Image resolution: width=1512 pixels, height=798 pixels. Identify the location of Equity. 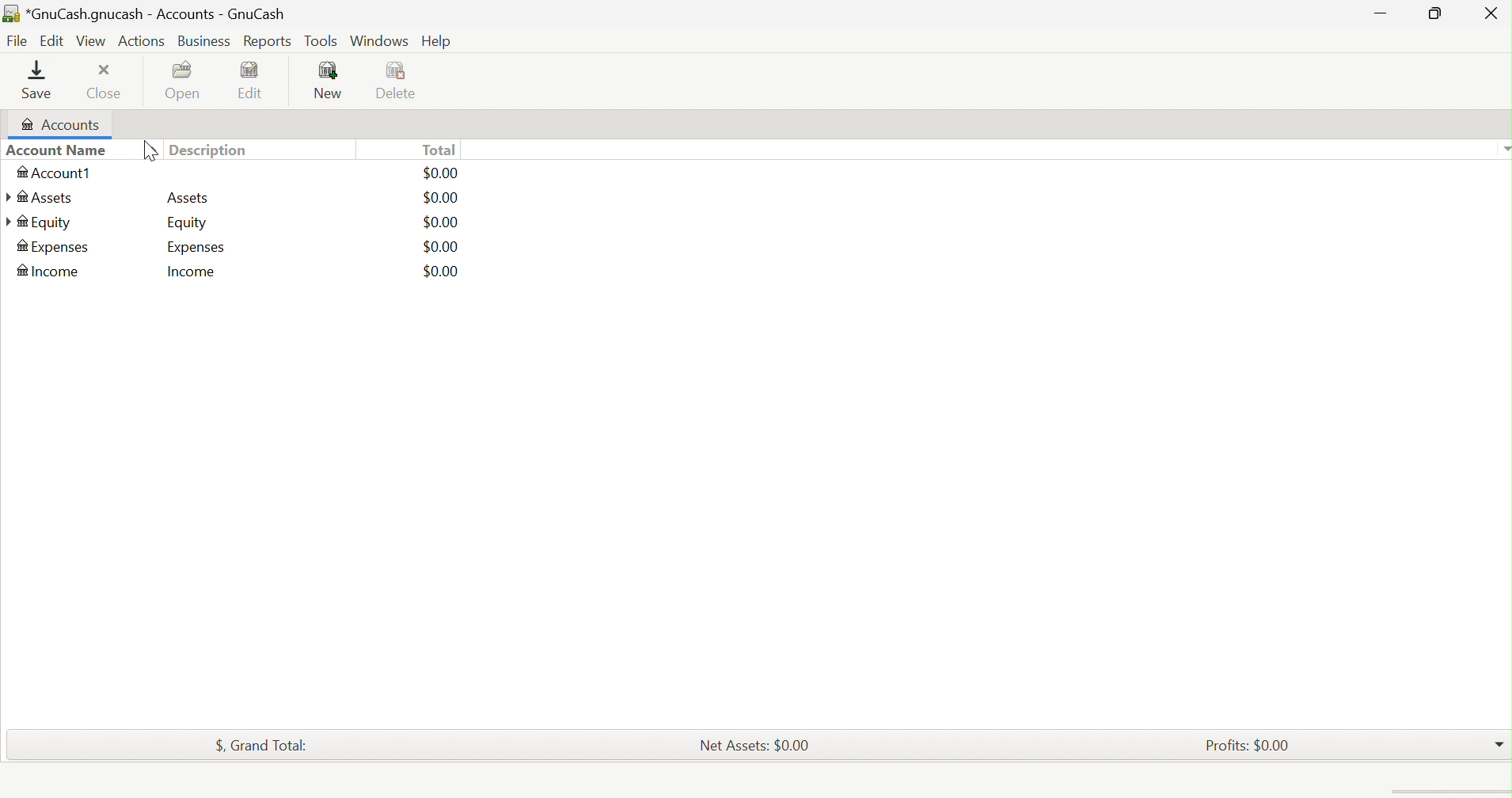
(40, 197).